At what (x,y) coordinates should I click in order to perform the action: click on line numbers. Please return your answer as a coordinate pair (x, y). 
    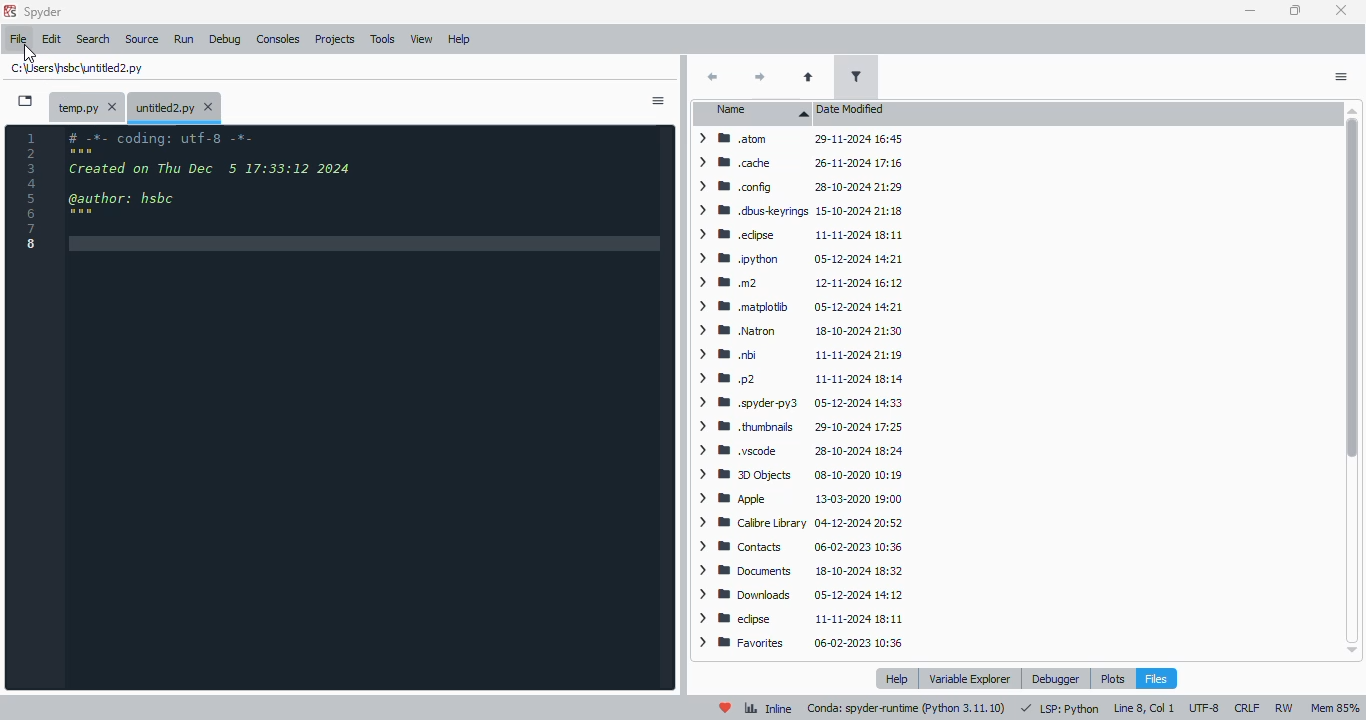
    Looking at the image, I should click on (33, 190).